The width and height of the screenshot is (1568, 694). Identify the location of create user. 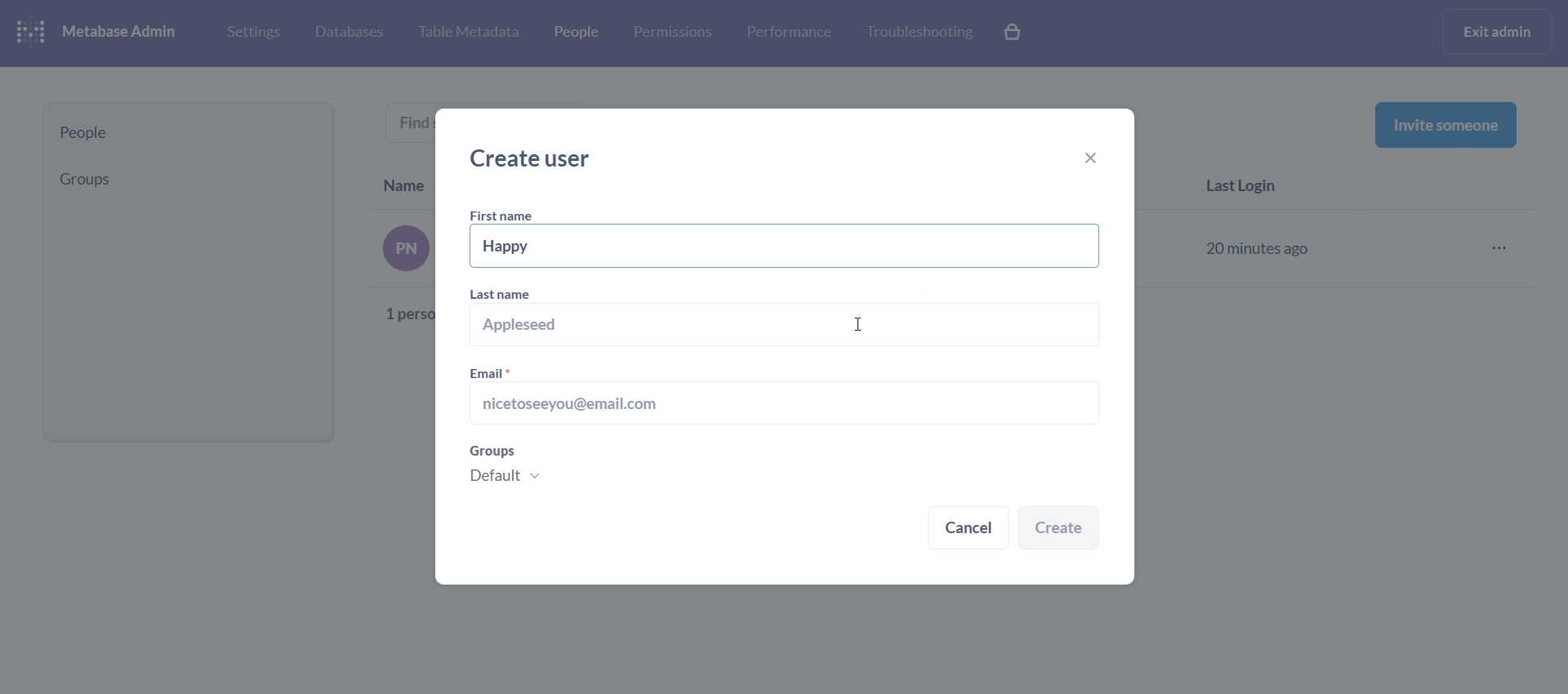
(537, 158).